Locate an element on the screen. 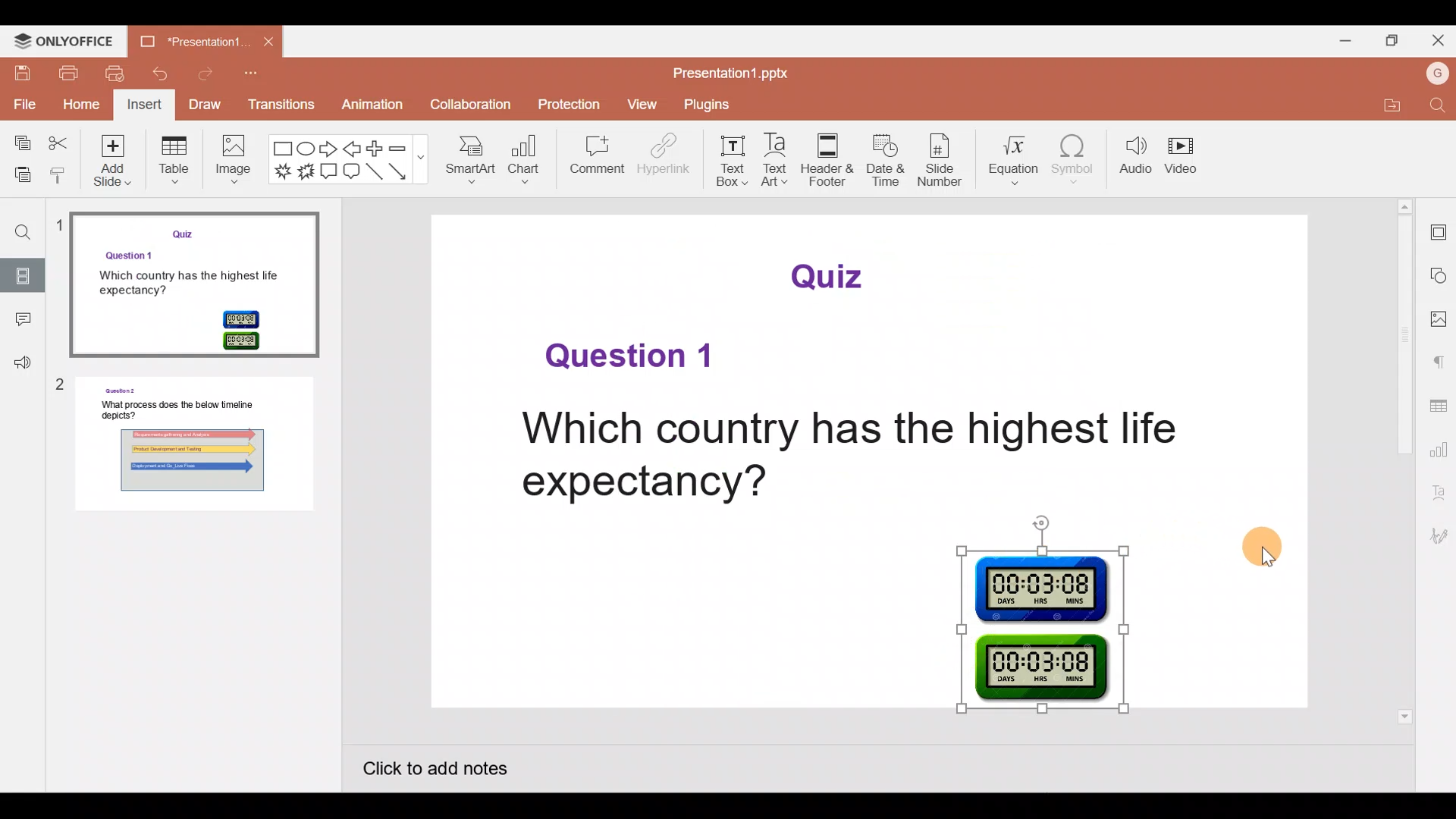 This screenshot has width=1456, height=819. Which country has the highest life expectancy? is located at coordinates (846, 457).